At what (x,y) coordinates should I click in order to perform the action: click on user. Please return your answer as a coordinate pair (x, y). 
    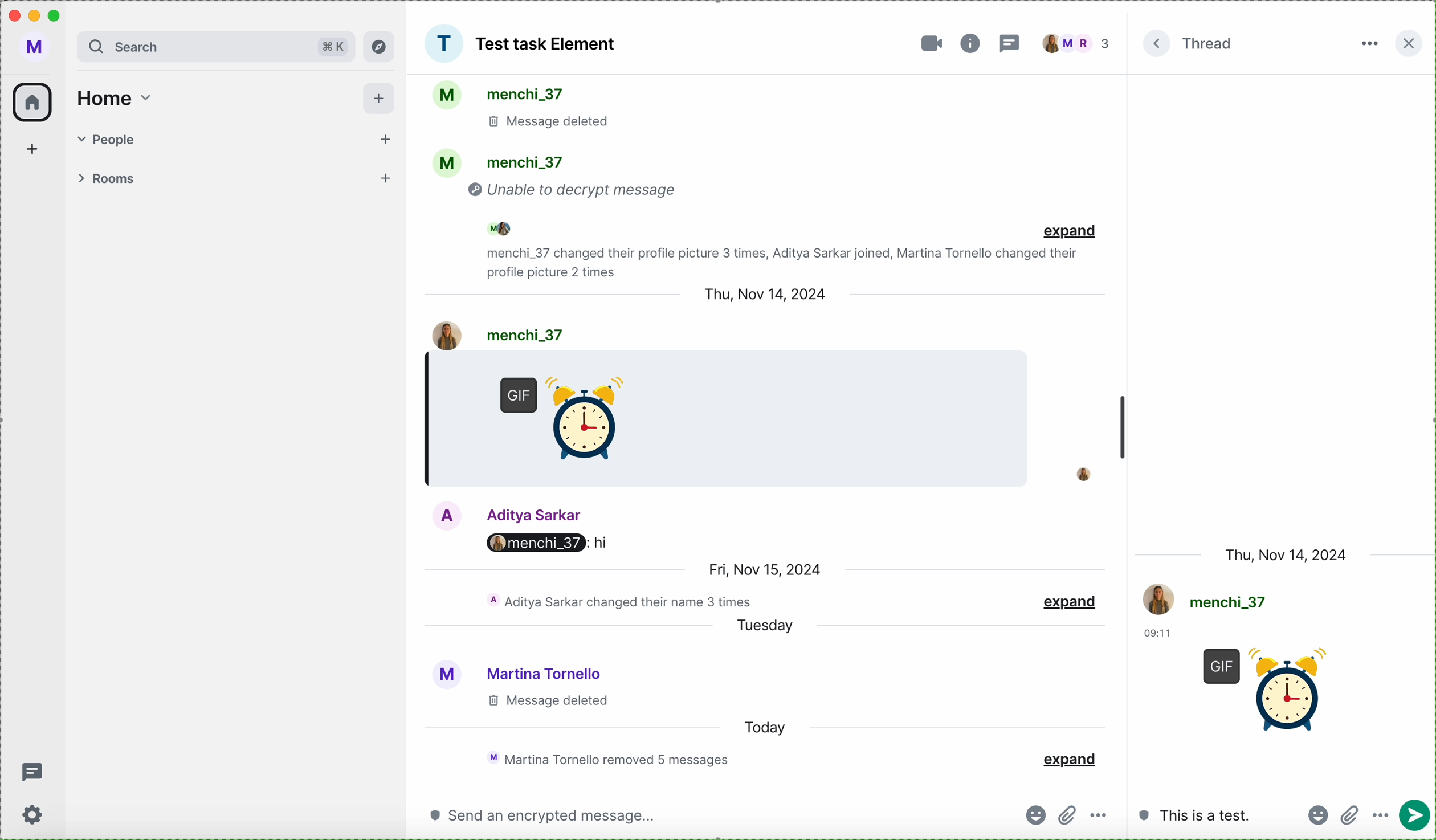
    Looking at the image, I should click on (501, 514).